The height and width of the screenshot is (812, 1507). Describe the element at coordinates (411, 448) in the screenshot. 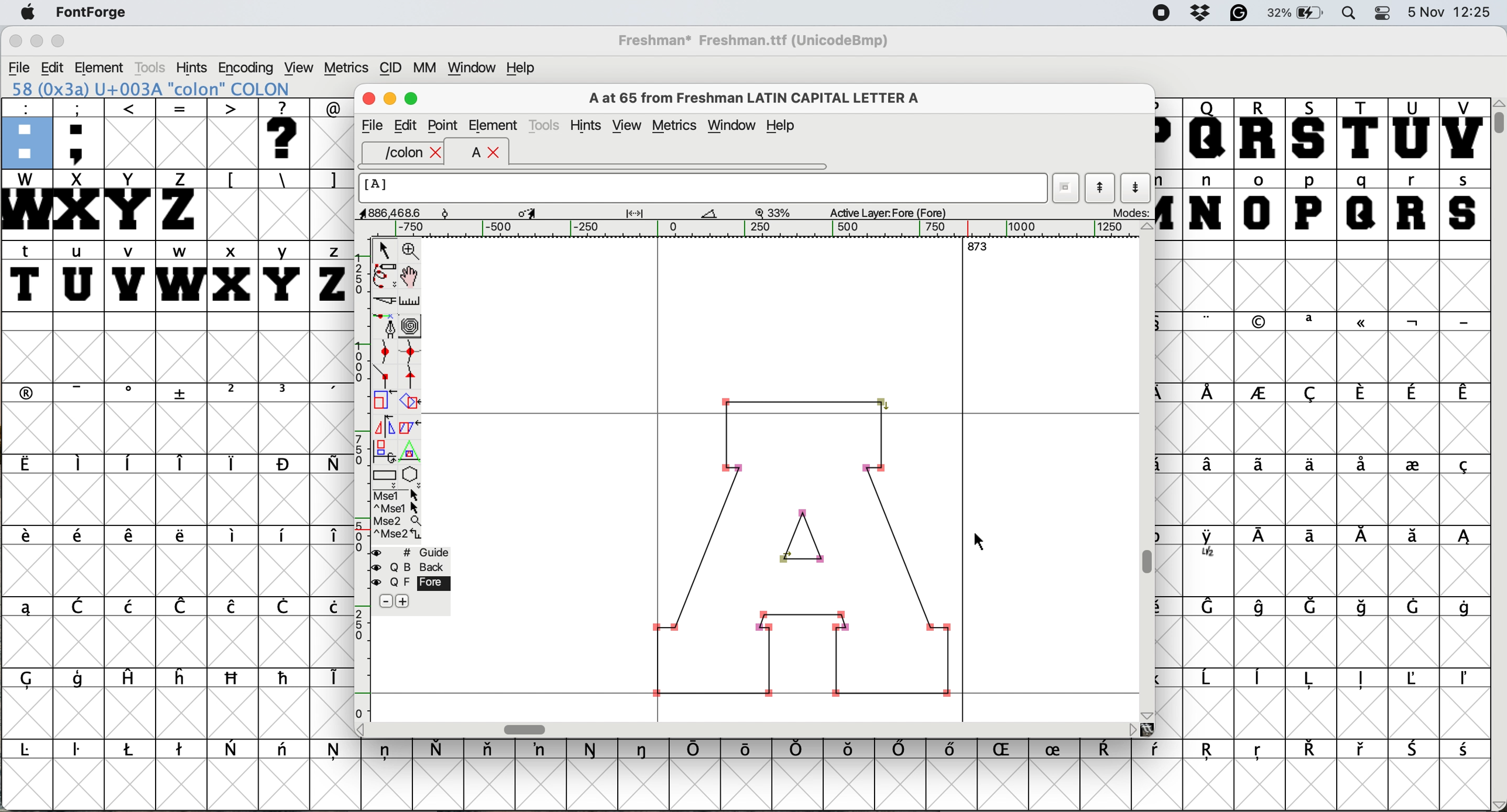

I see `perform a perspective transformation on selection` at that location.